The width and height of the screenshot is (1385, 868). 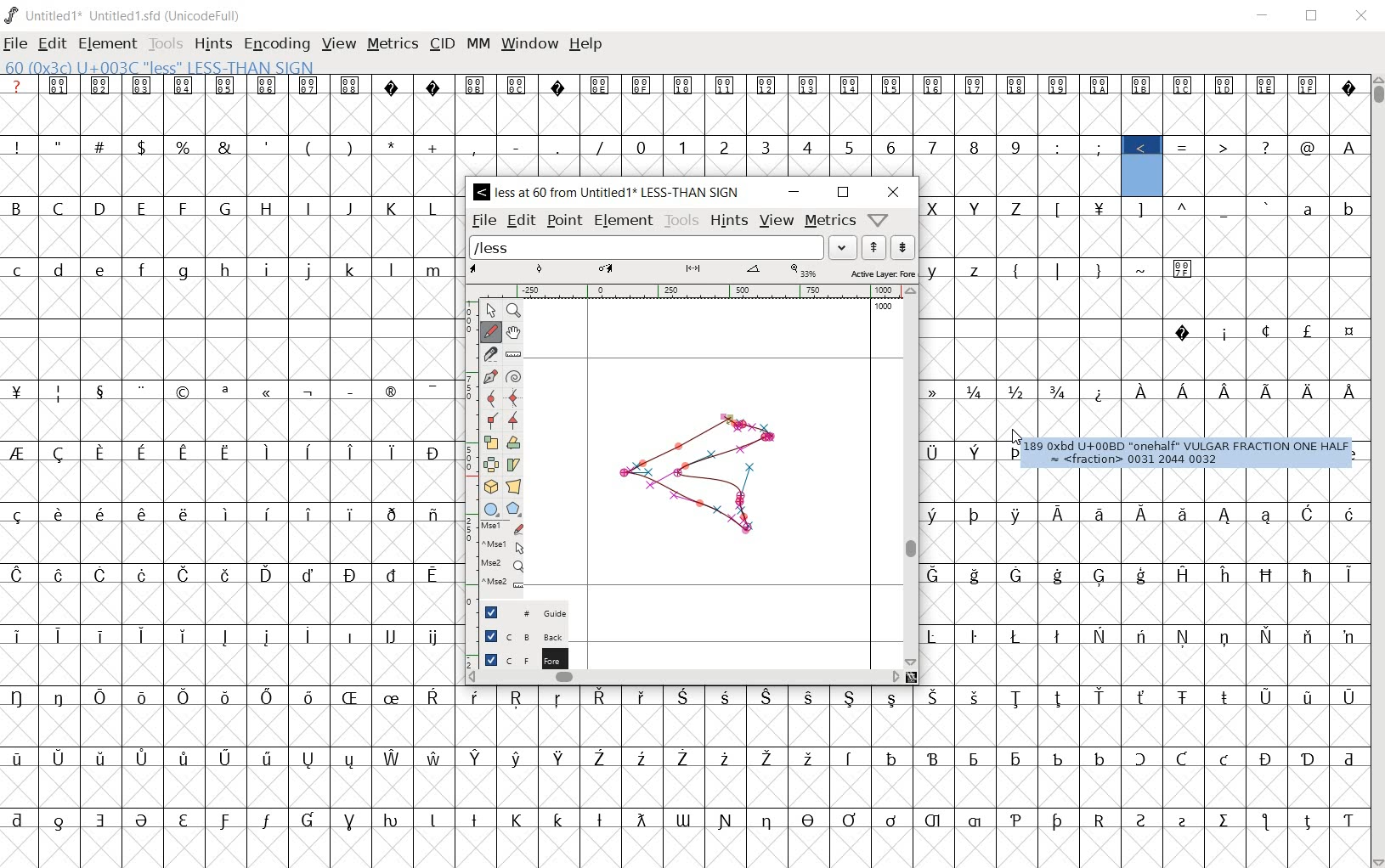 I want to click on polygon or star, so click(x=514, y=509).